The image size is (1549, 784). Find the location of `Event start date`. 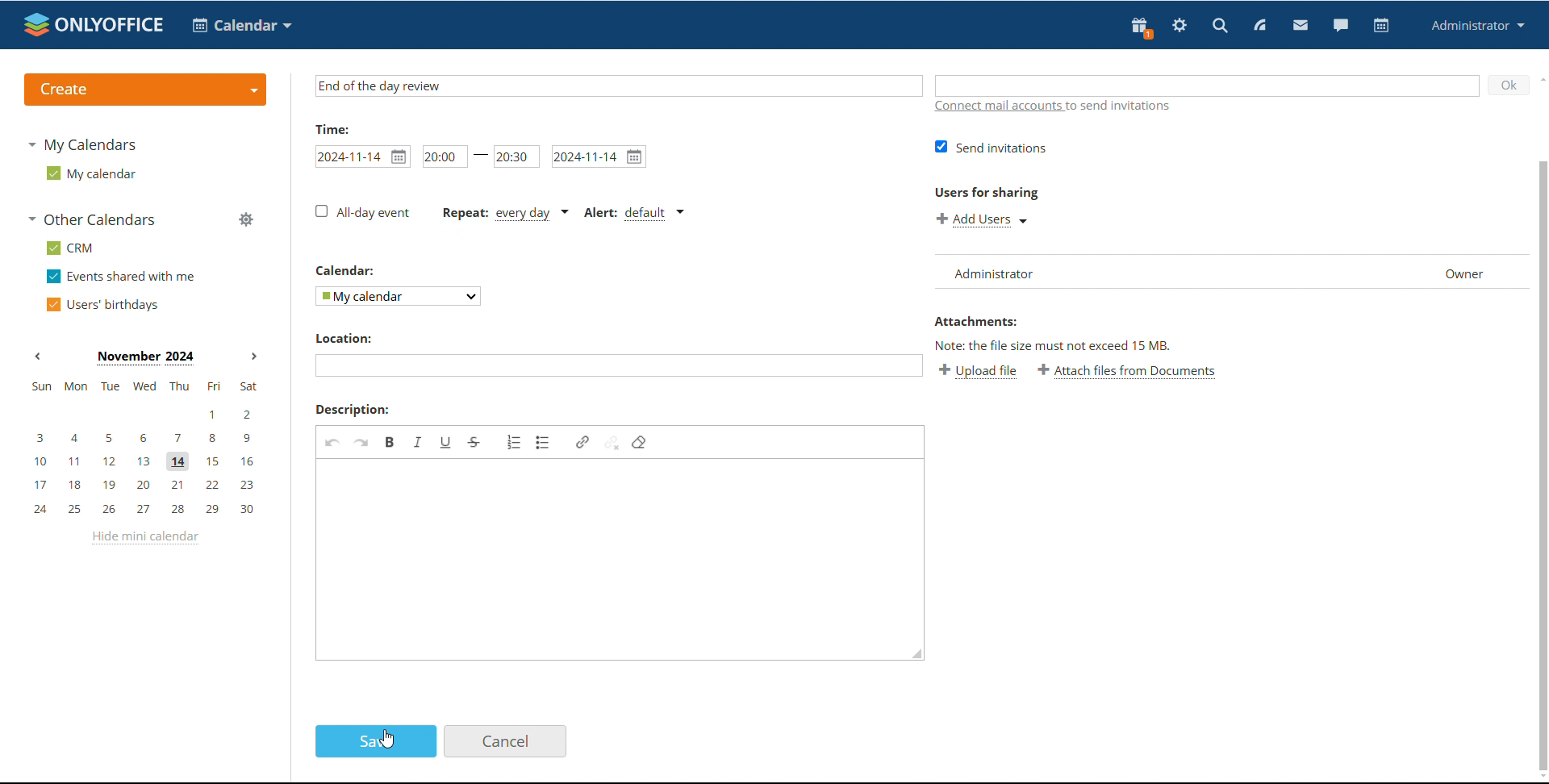

Event start date is located at coordinates (363, 157).